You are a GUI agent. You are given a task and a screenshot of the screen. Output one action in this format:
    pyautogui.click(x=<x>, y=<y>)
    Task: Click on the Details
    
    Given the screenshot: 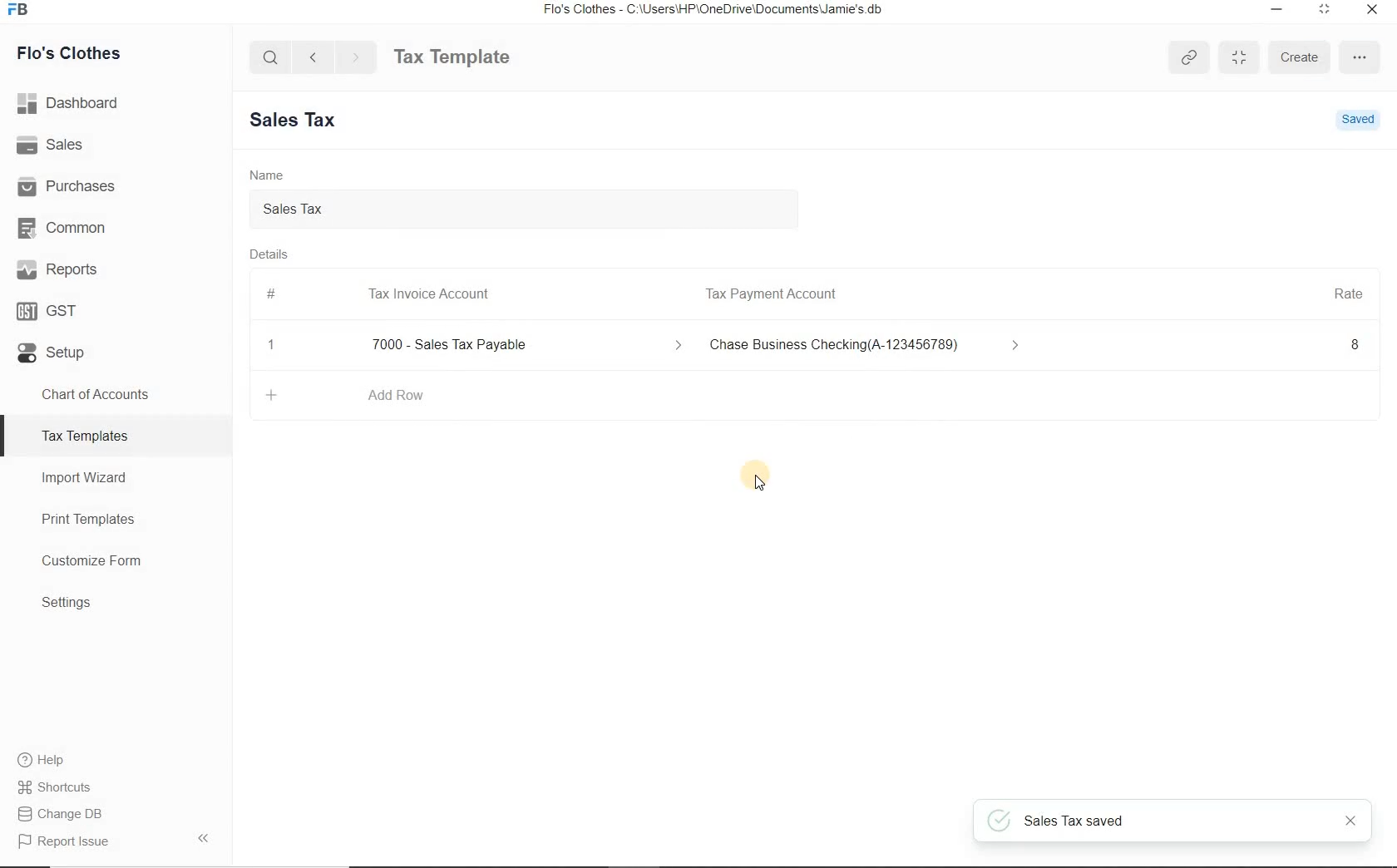 What is the action you would take?
    pyautogui.click(x=269, y=254)
    